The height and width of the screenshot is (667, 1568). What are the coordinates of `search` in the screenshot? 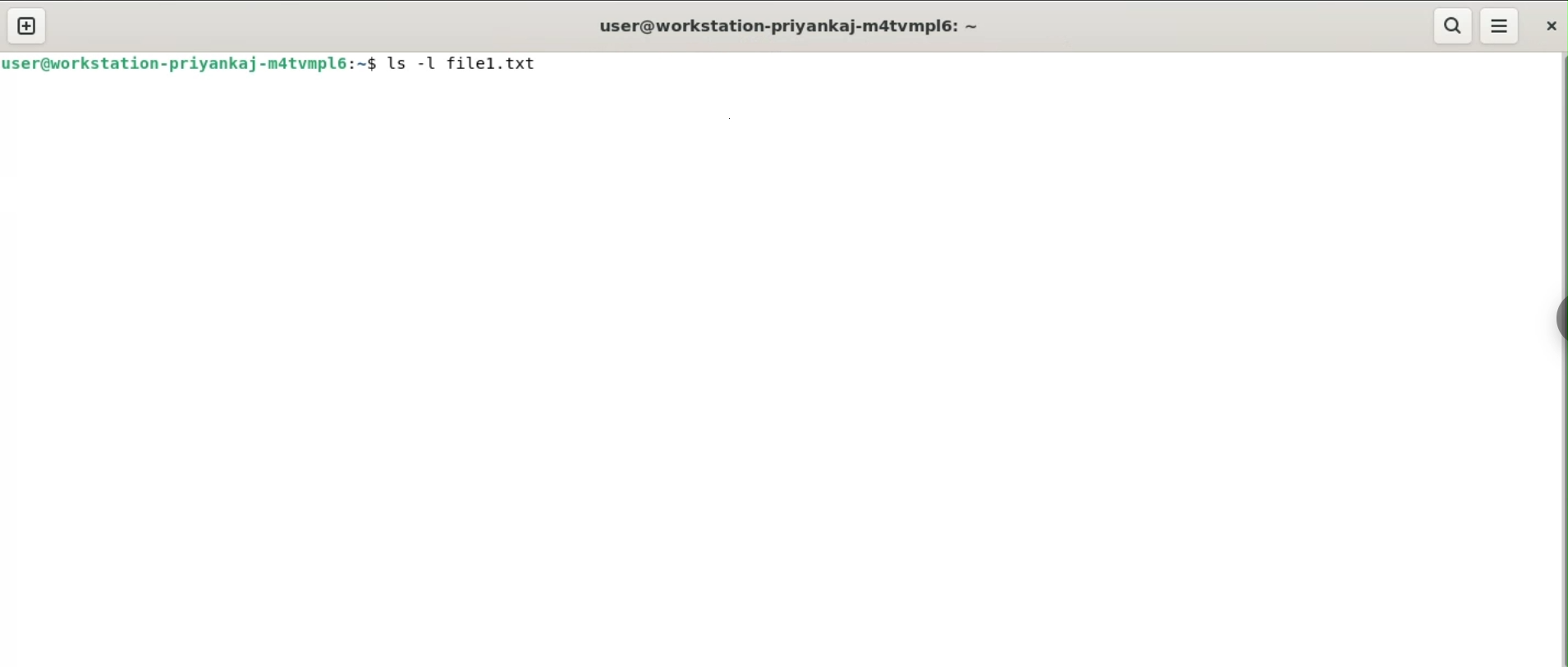 It's located at (1453, 26).